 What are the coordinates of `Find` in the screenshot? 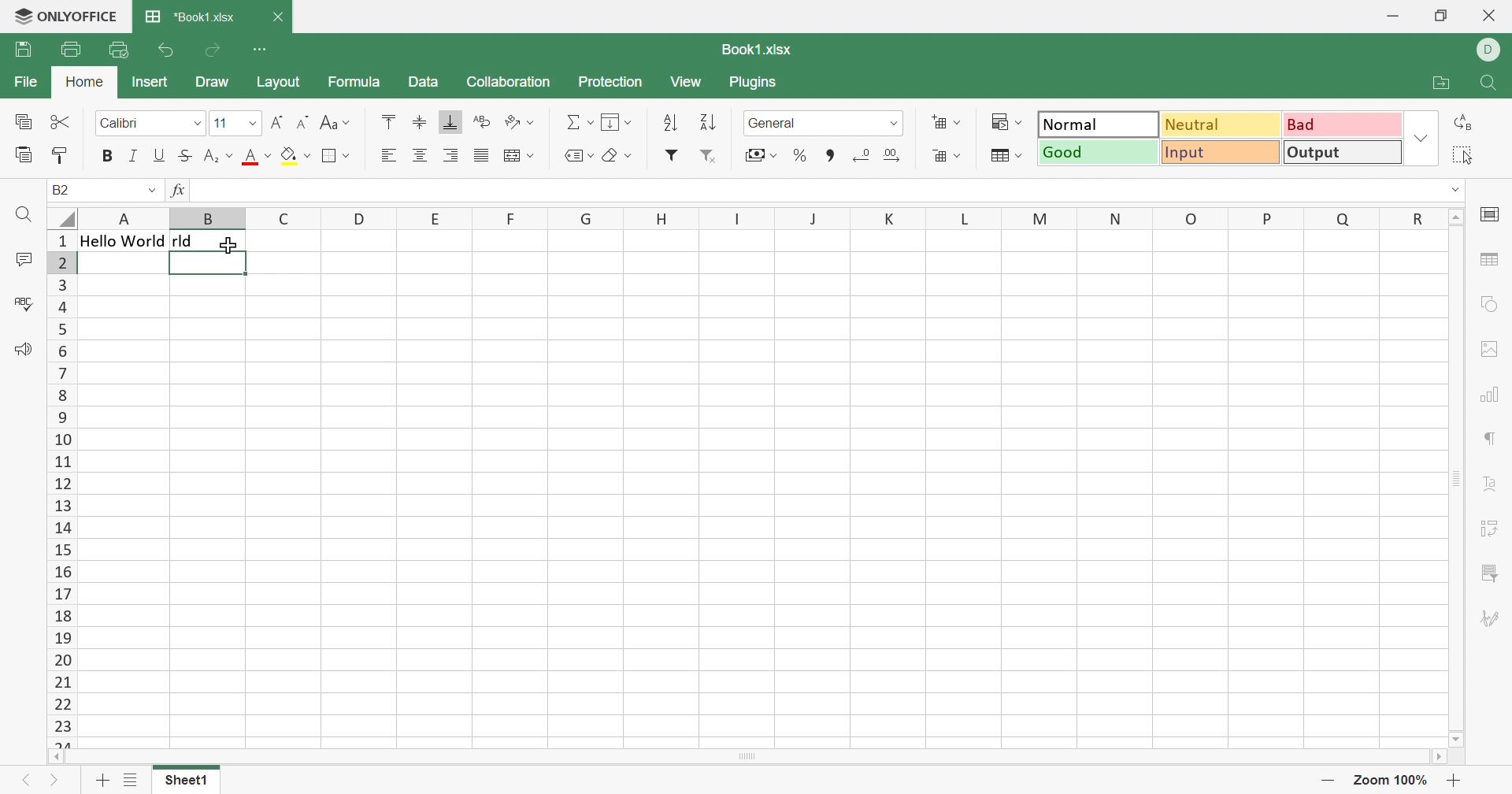 It's located at (24, 217).